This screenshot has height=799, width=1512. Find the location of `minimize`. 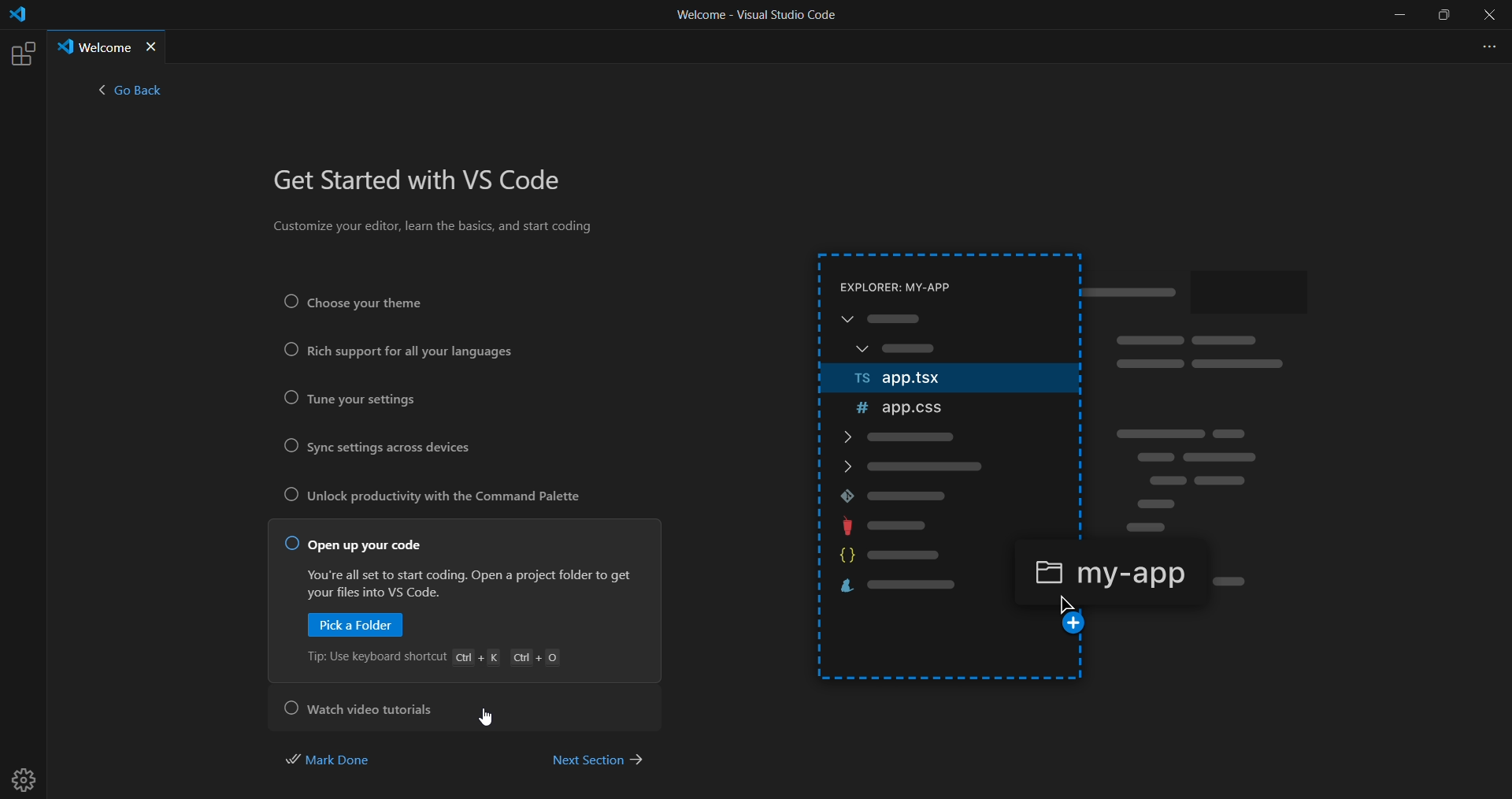

minimize is located at coordinates (1398, 15).